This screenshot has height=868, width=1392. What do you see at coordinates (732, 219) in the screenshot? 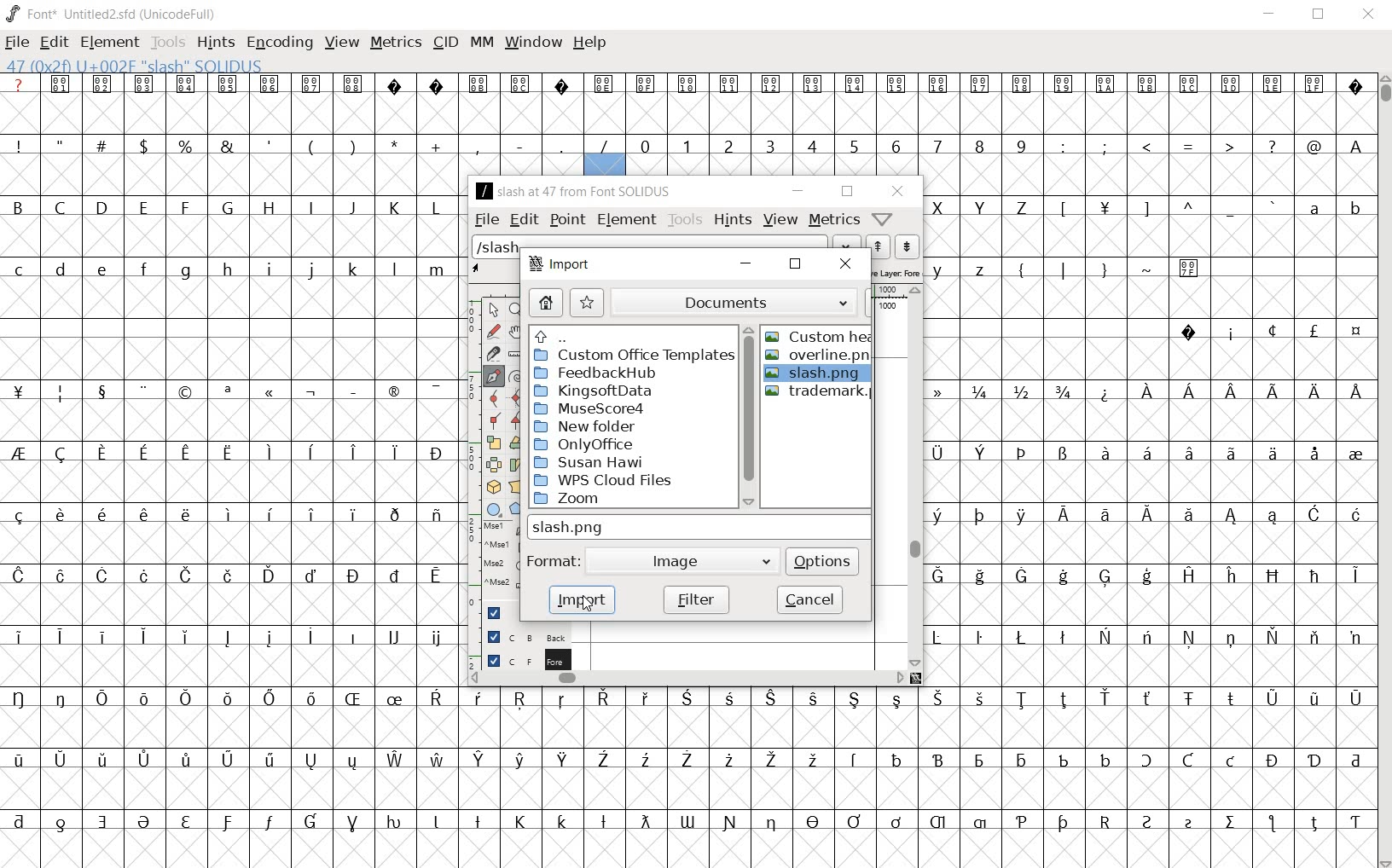
I see `hints` at bounding box center [732, 219].